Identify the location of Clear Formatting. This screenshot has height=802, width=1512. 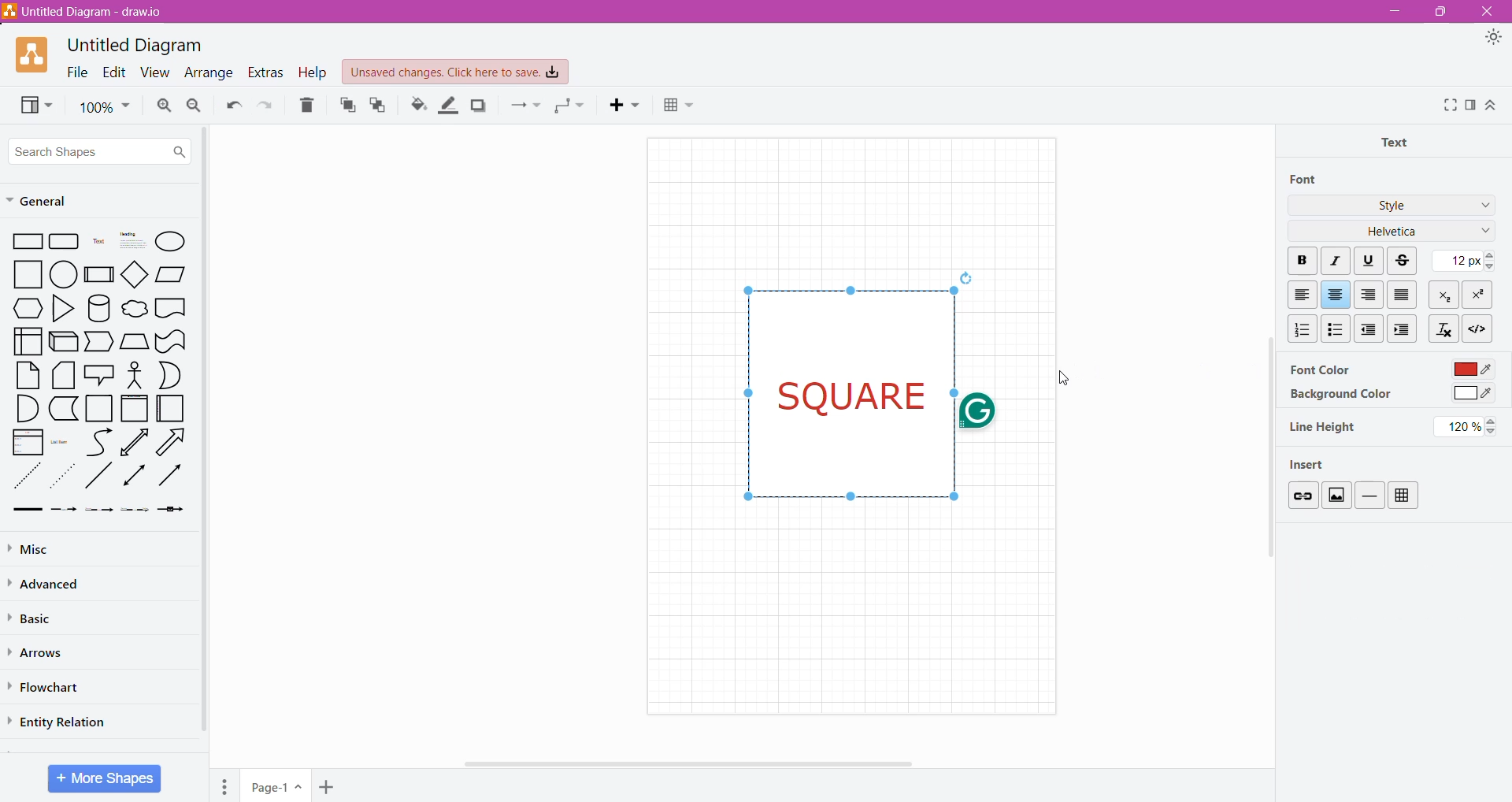
(1443, 328).